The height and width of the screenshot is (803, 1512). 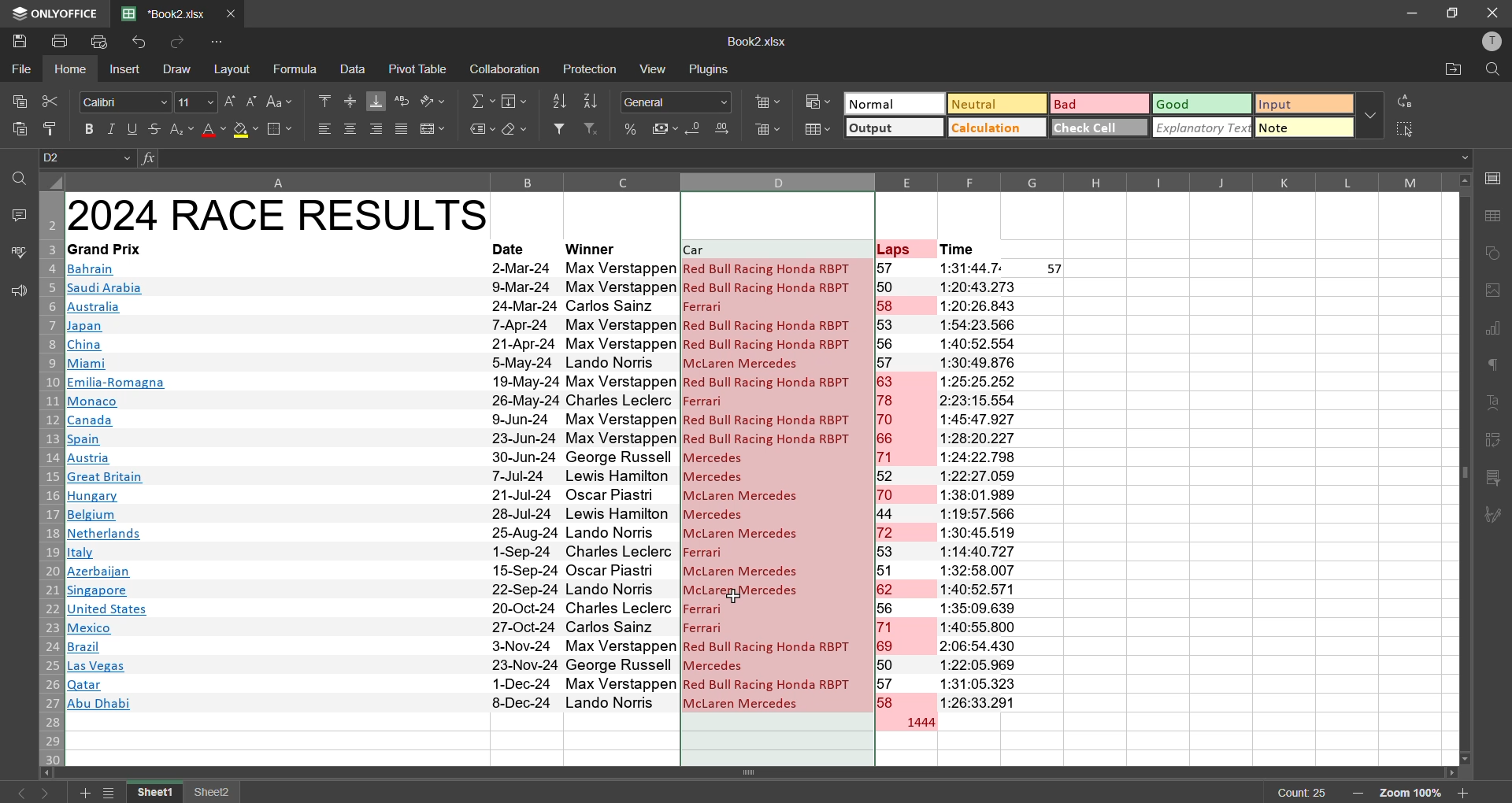 What do you see at coordinates (821, 102) in the screenshot?
I see `conditional formatting` at bounding box center [821, 102].